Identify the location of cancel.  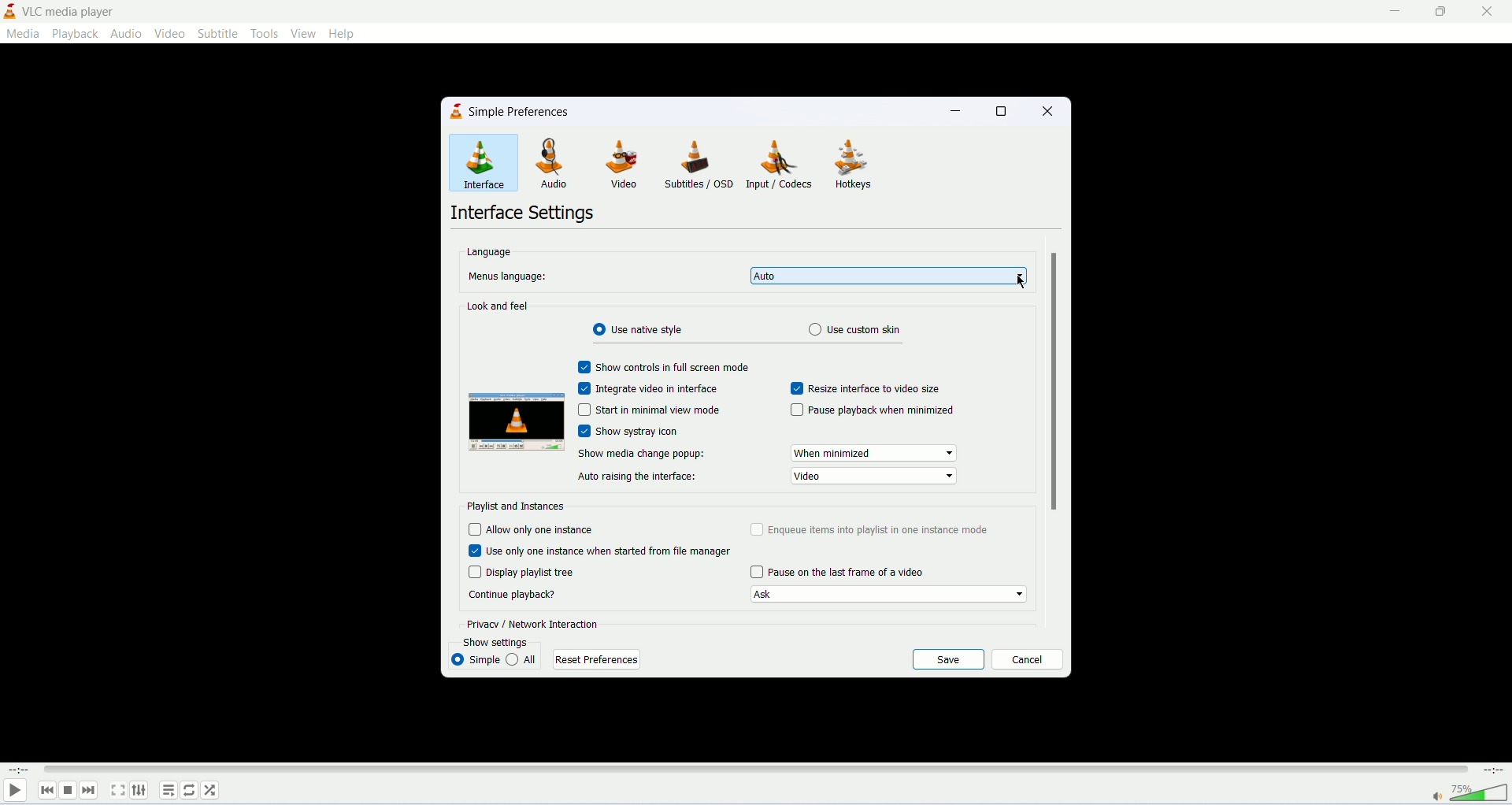
(1027, 660).